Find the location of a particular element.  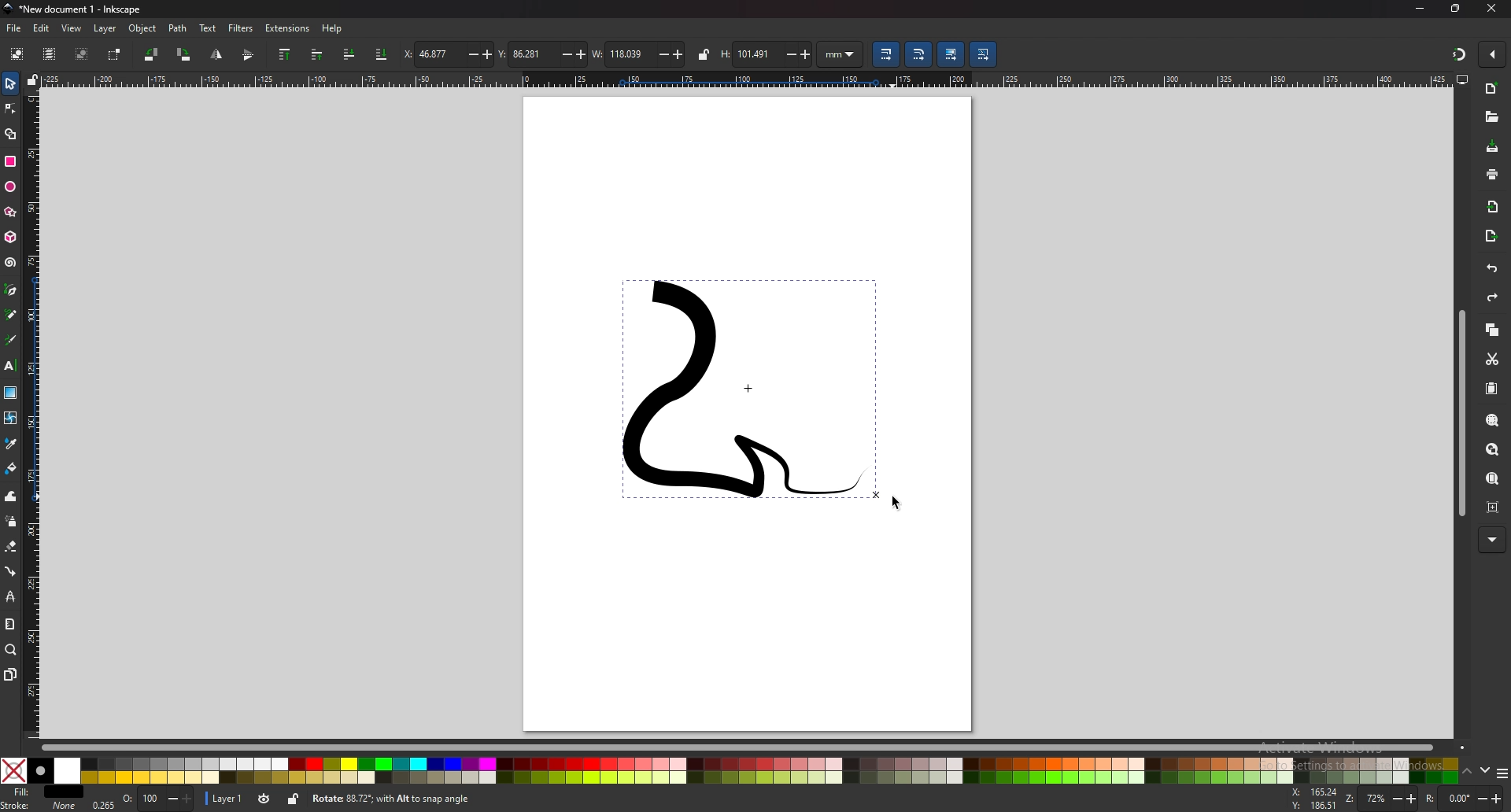

gradient is located at coordinates (11, 392).